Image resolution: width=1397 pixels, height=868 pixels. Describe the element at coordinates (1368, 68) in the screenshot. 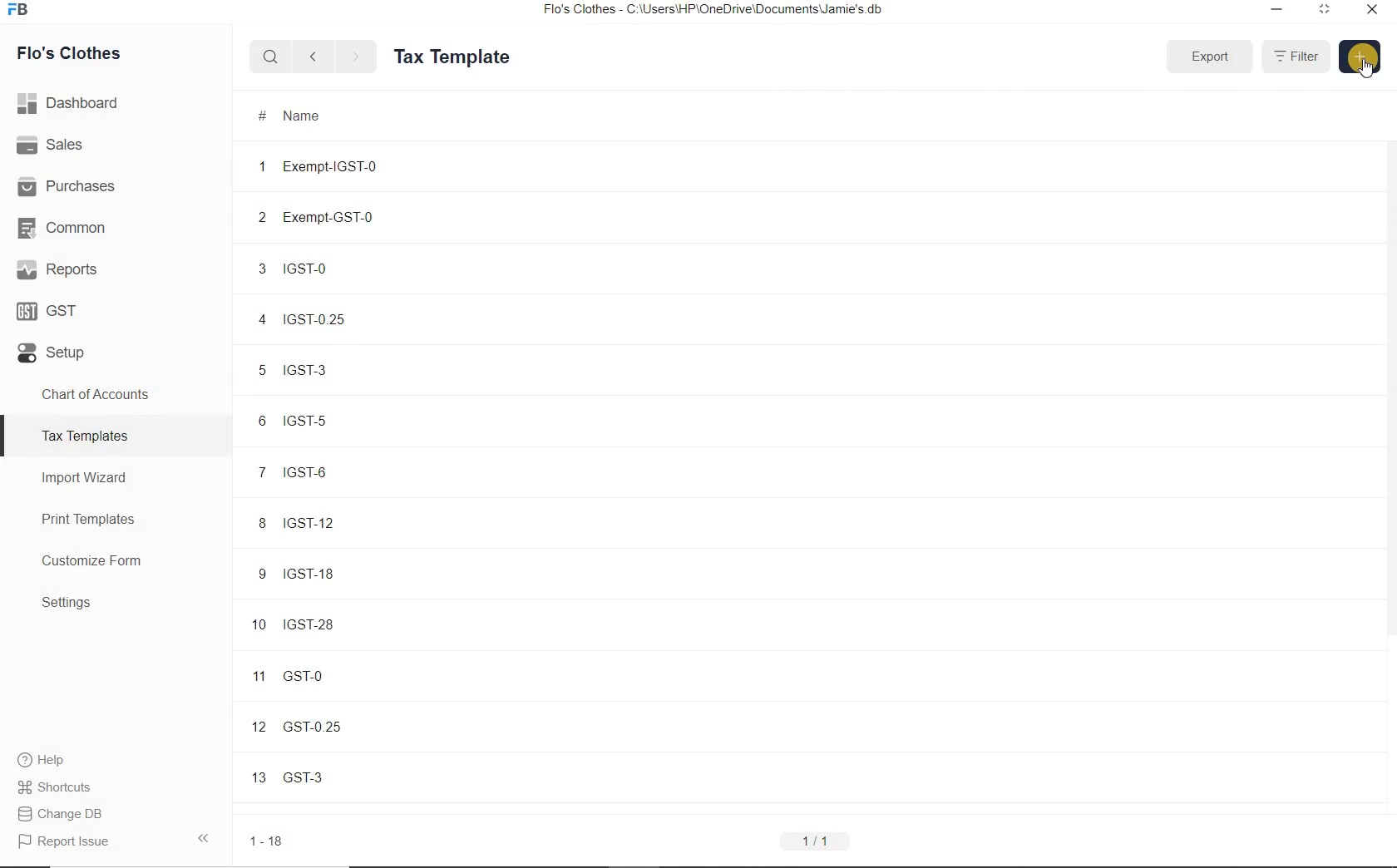

I see `Cursor` at that location.